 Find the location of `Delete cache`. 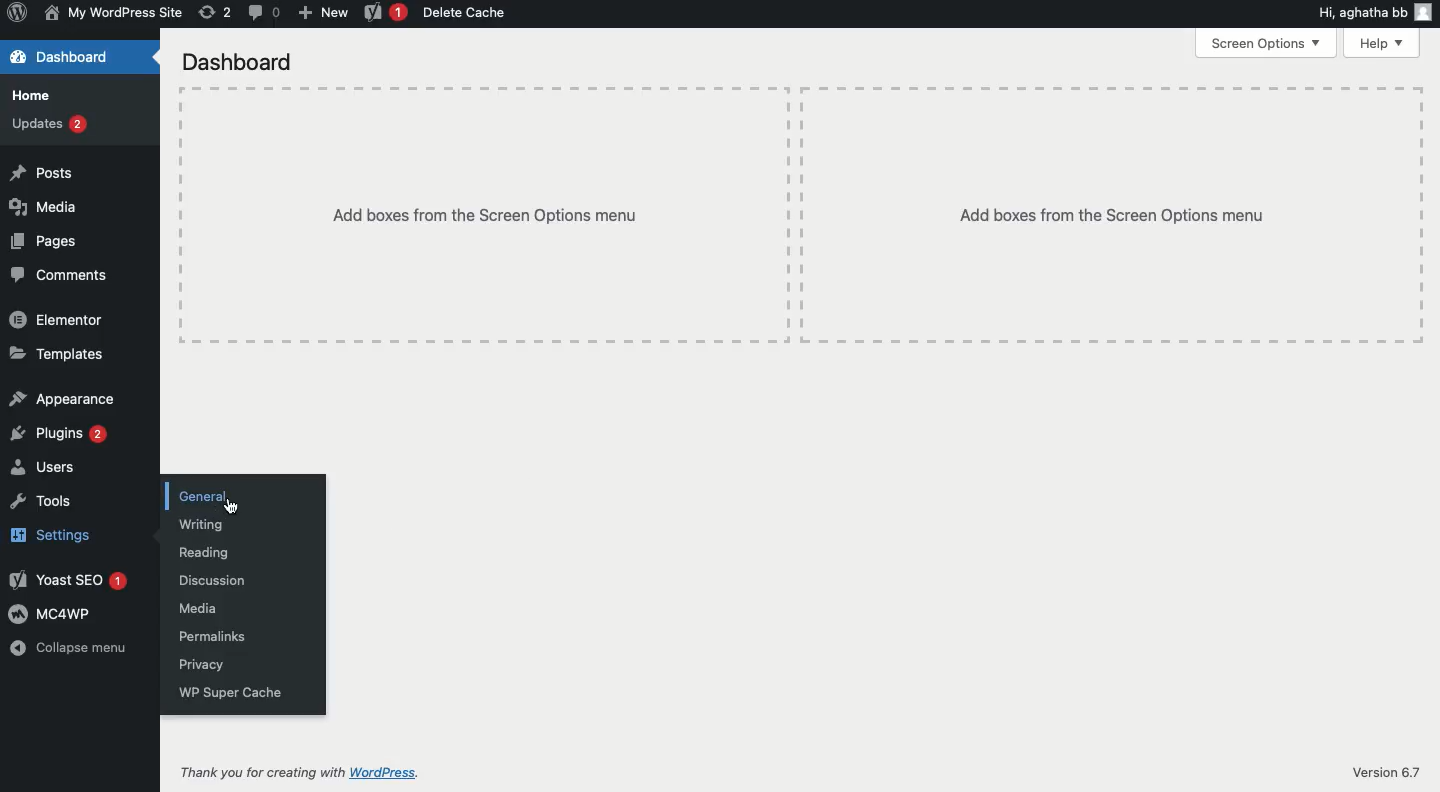

Delete cache is located at coordinates (465, 12).